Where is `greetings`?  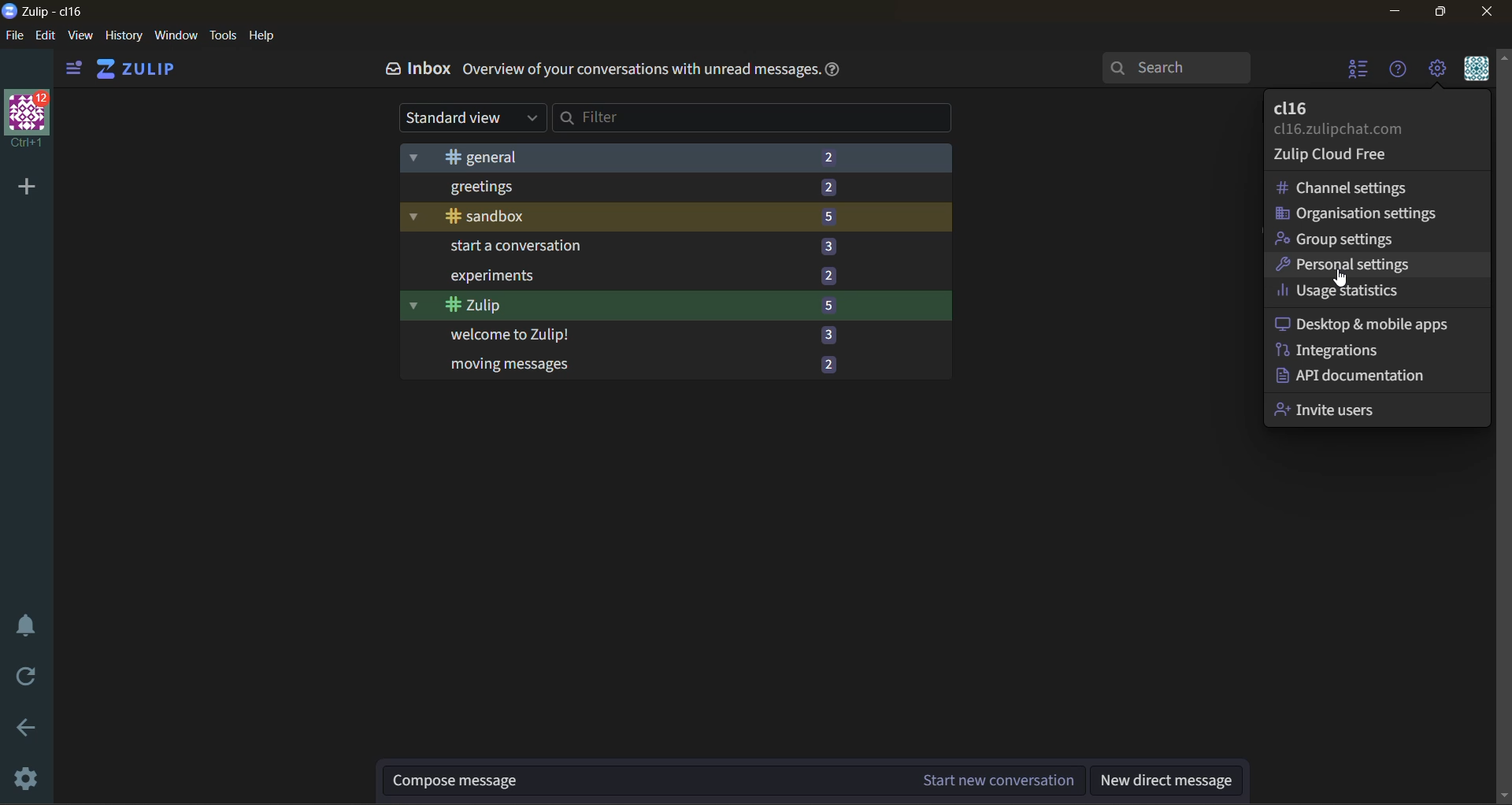 greetings is located at coordinates (626, 187).